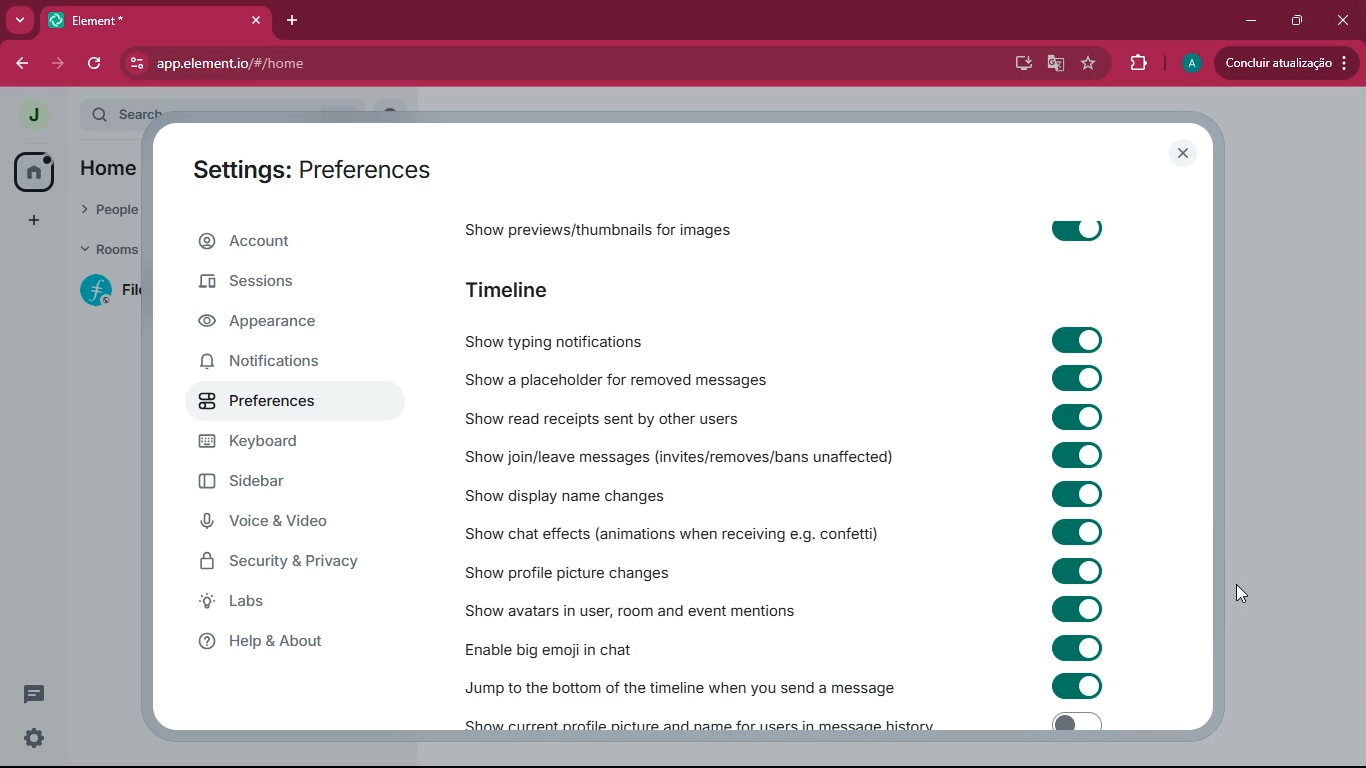 The image size is (1366, 768). I want to click on toggle on , so click(1078, 569).